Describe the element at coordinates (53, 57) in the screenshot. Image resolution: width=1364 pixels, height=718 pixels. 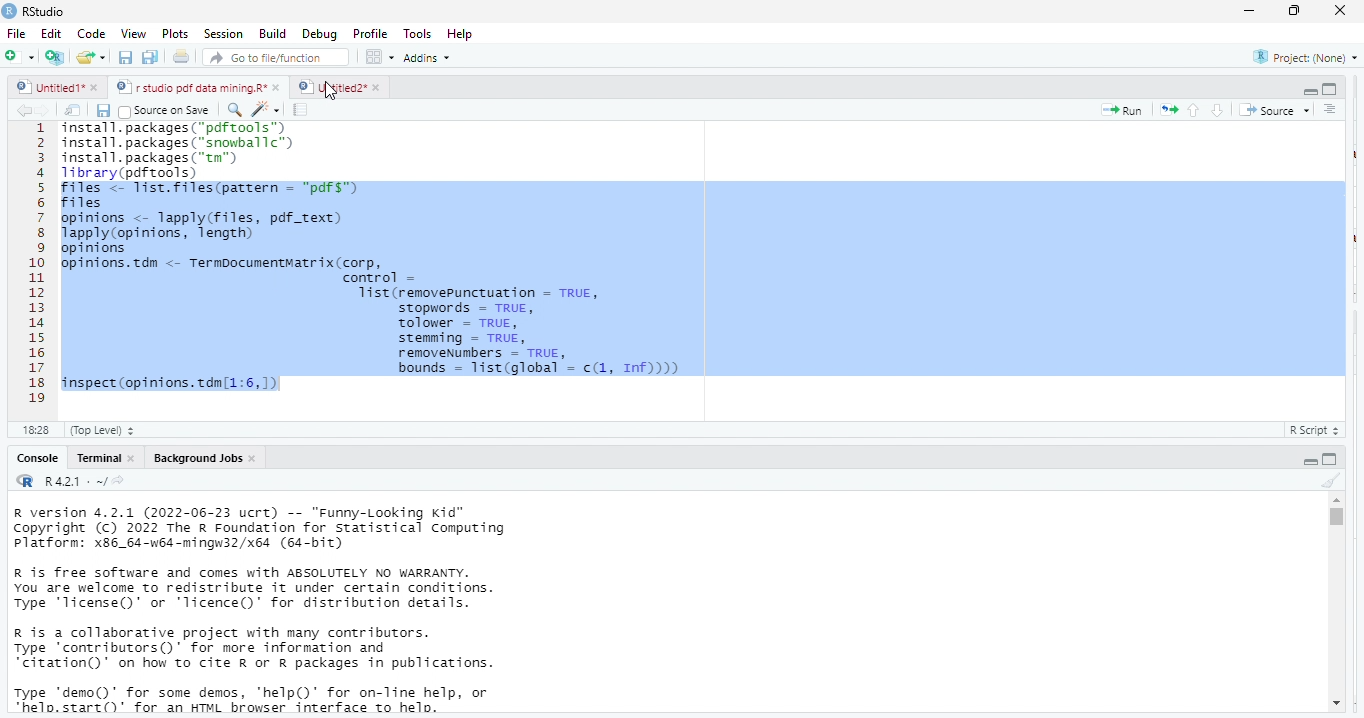
I see `create a project` at that location.